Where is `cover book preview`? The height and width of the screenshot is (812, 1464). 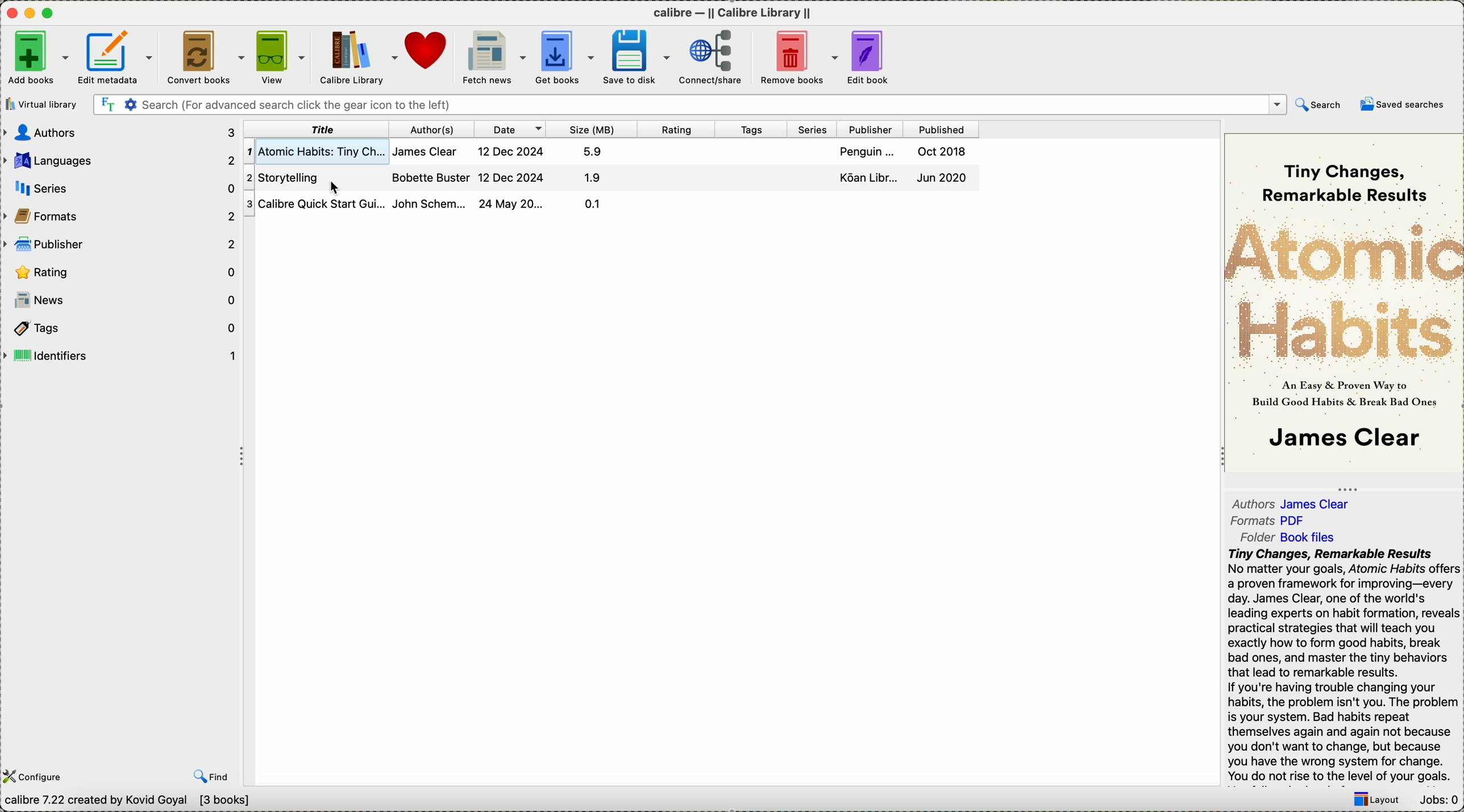
cover book preview is located at coordinates (1344, 302).